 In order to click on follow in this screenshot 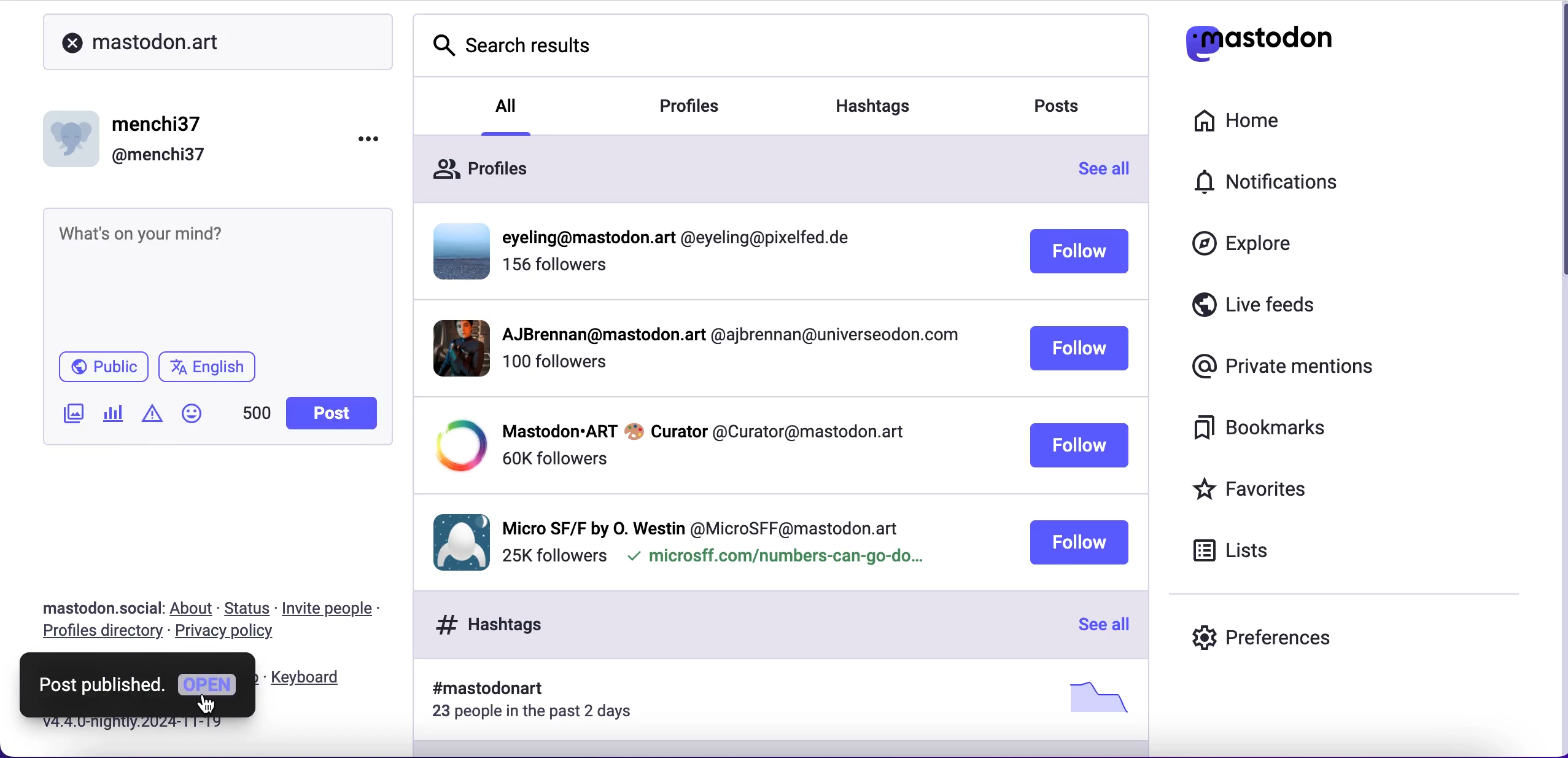, I will do `click(1078, 542)`.